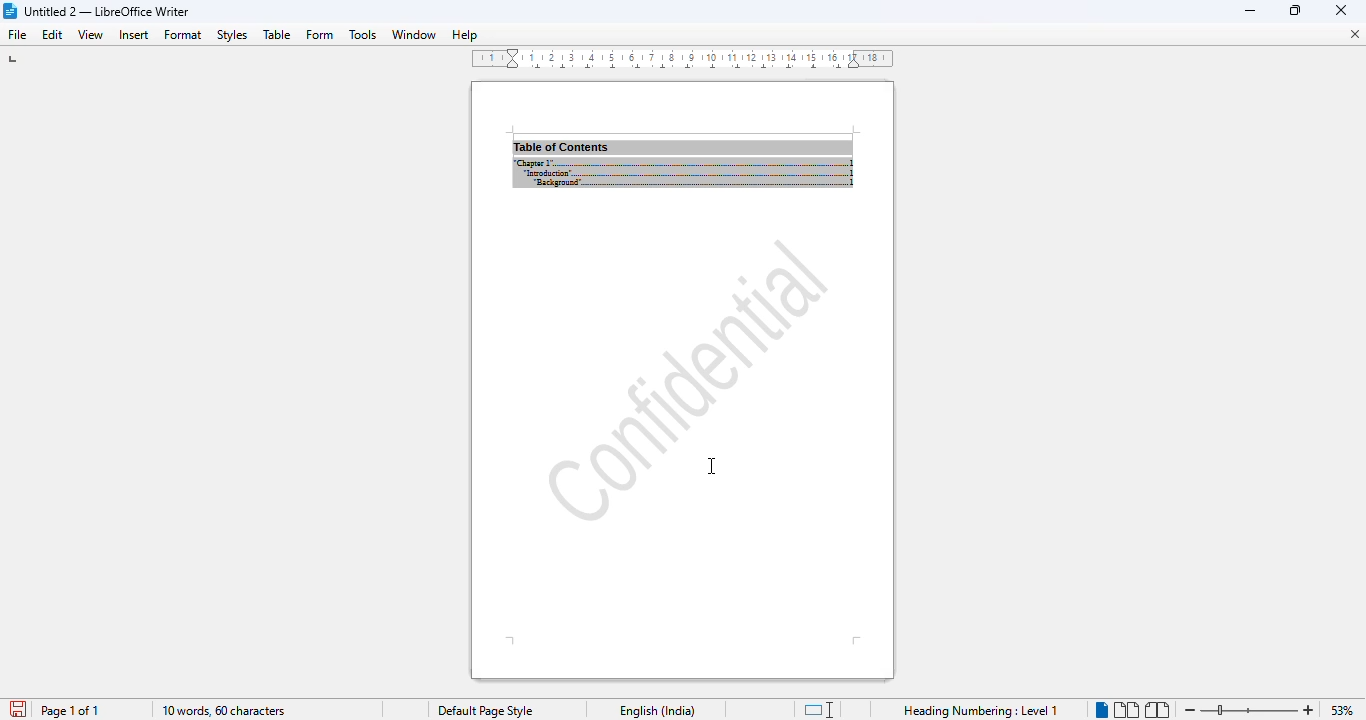 This screenshot has width=1366, height=720. Describe the element at coordinates (1352, 33) in the screenshot. I see `close` at that location.